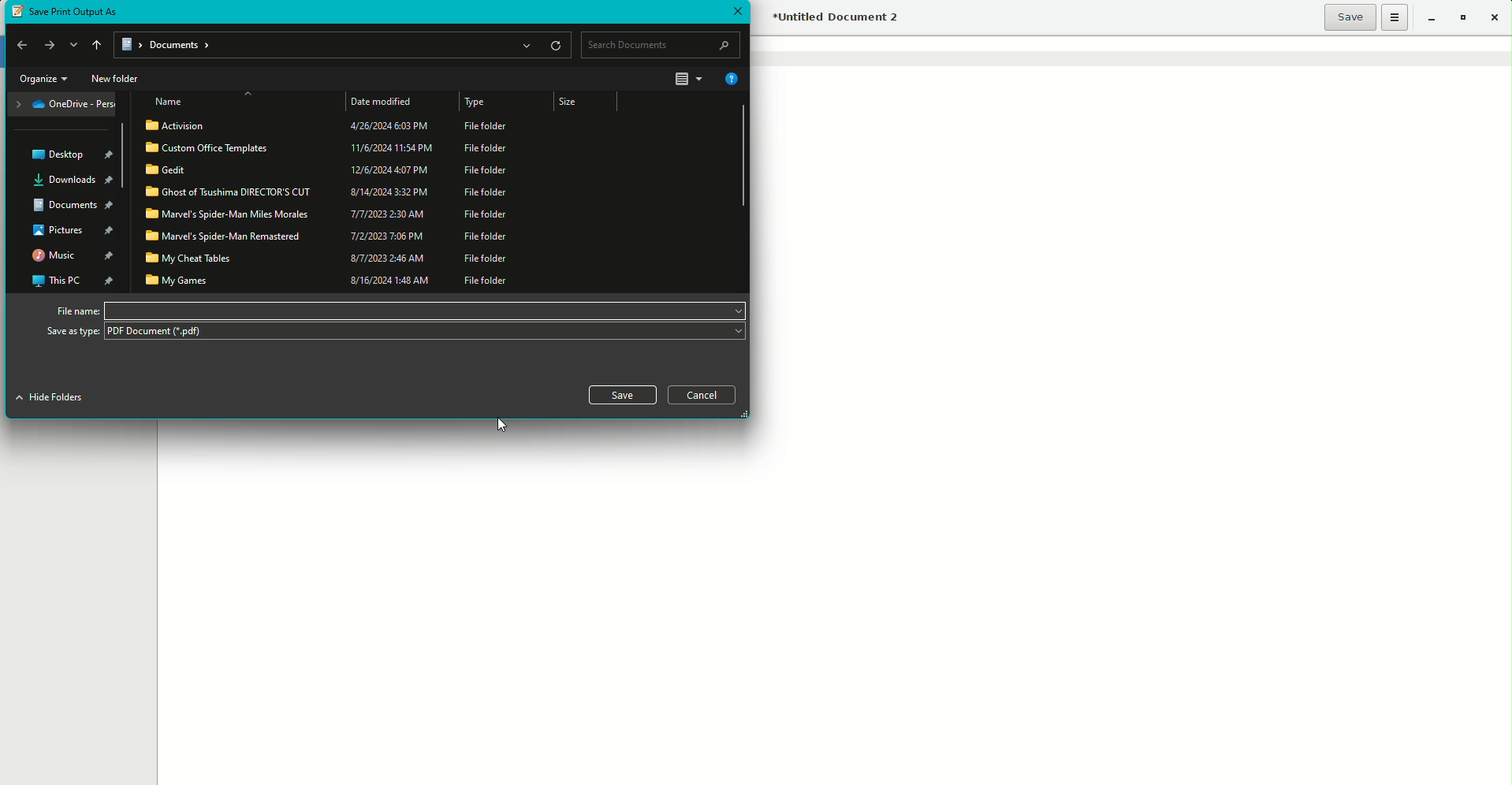  I want to click on Desktop, so click(76, 152).